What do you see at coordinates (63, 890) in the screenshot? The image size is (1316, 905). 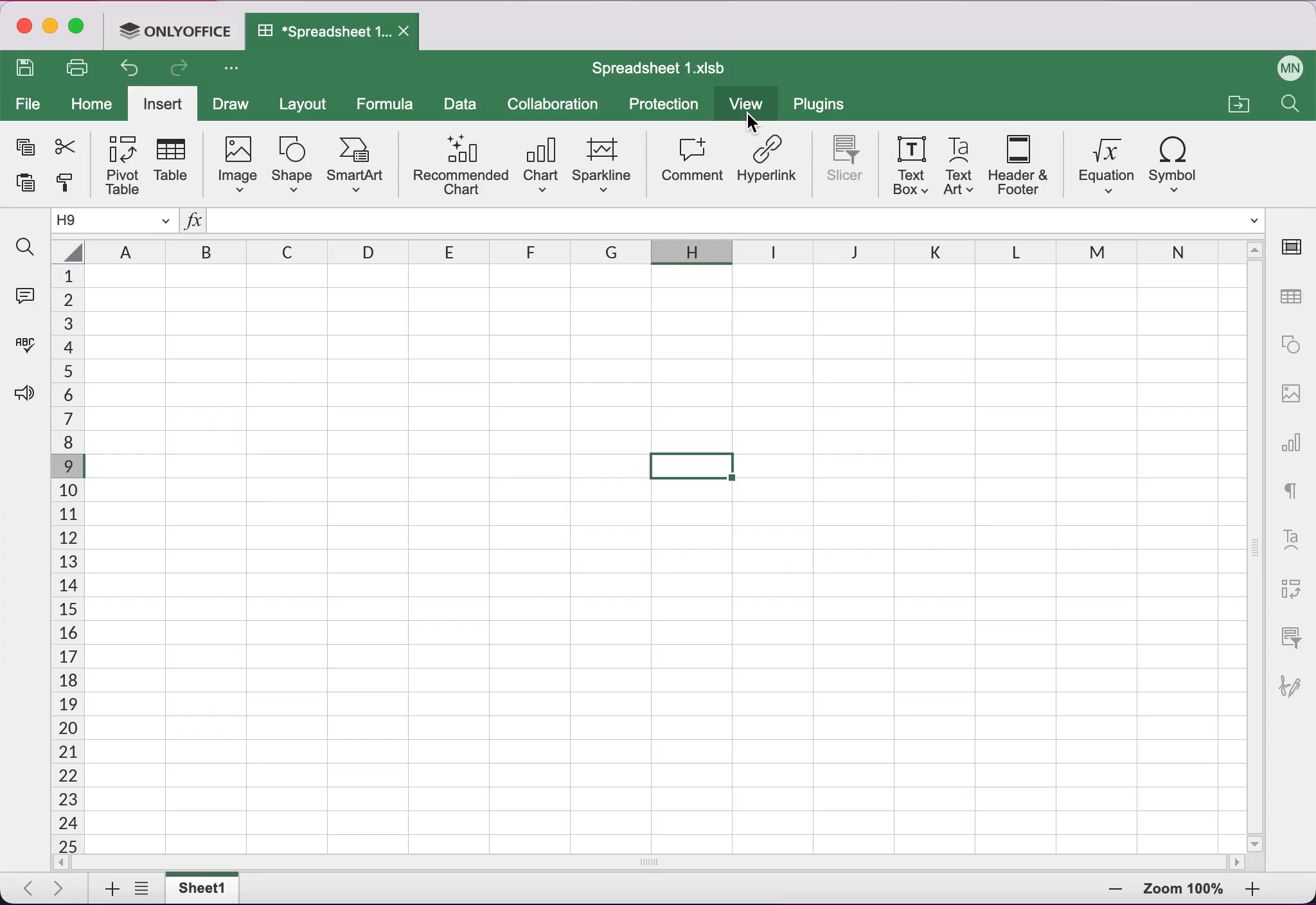 I see `next tab` at bounding box center [63, 890].